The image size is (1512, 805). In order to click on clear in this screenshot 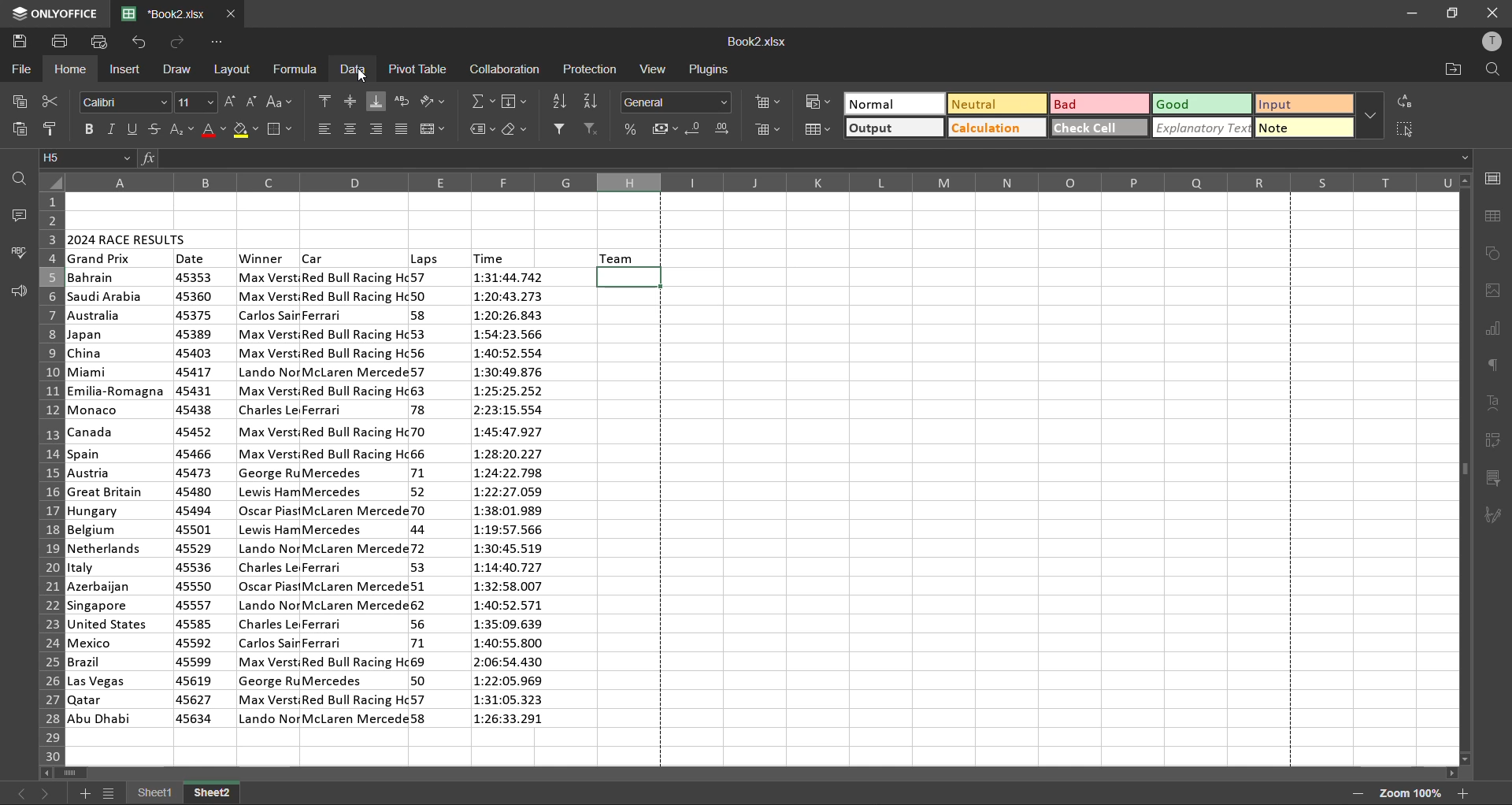, I will do `click(513, 132)`.